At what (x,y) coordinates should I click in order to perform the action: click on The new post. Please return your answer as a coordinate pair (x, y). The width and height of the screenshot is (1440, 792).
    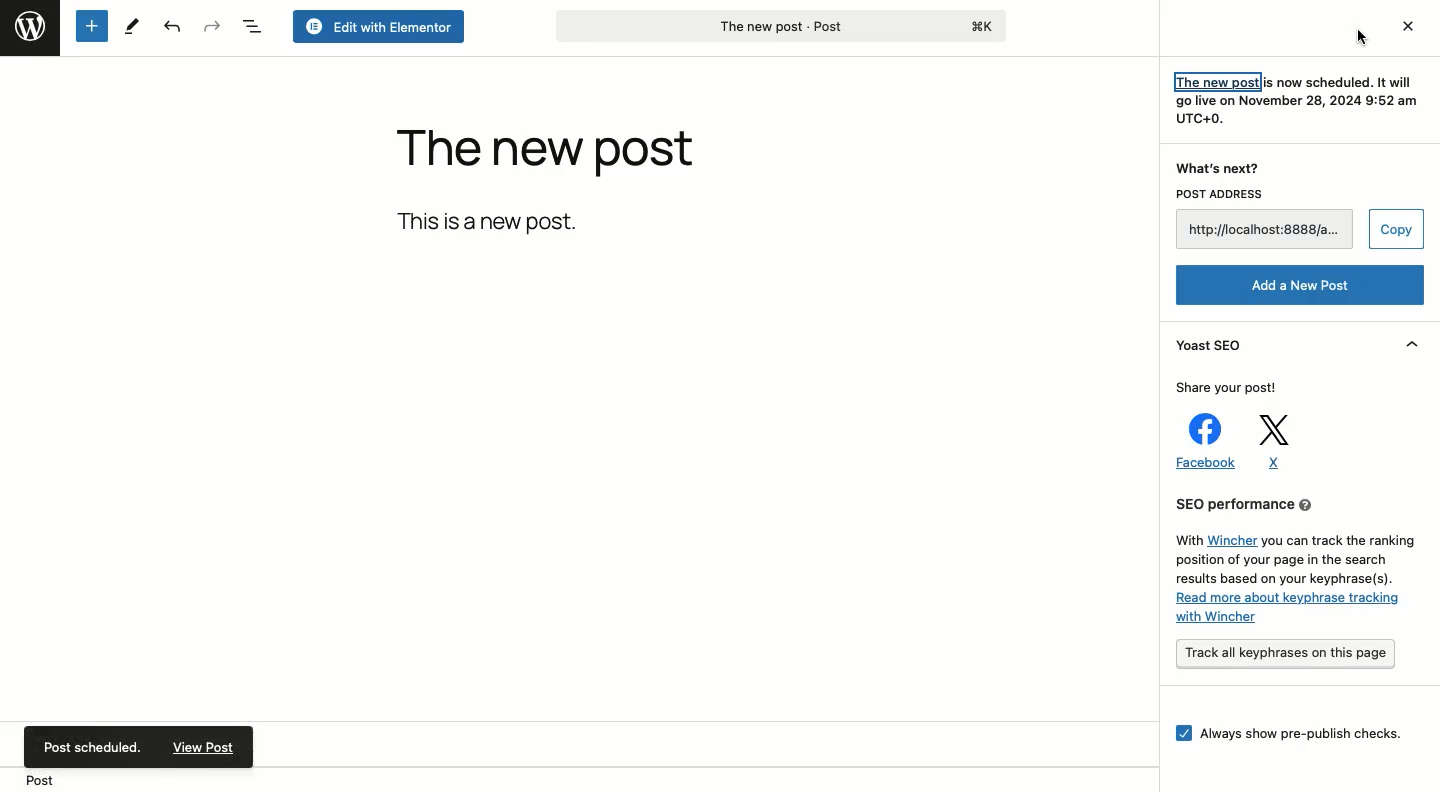
    Looking at the image, I should click on (546, 154).